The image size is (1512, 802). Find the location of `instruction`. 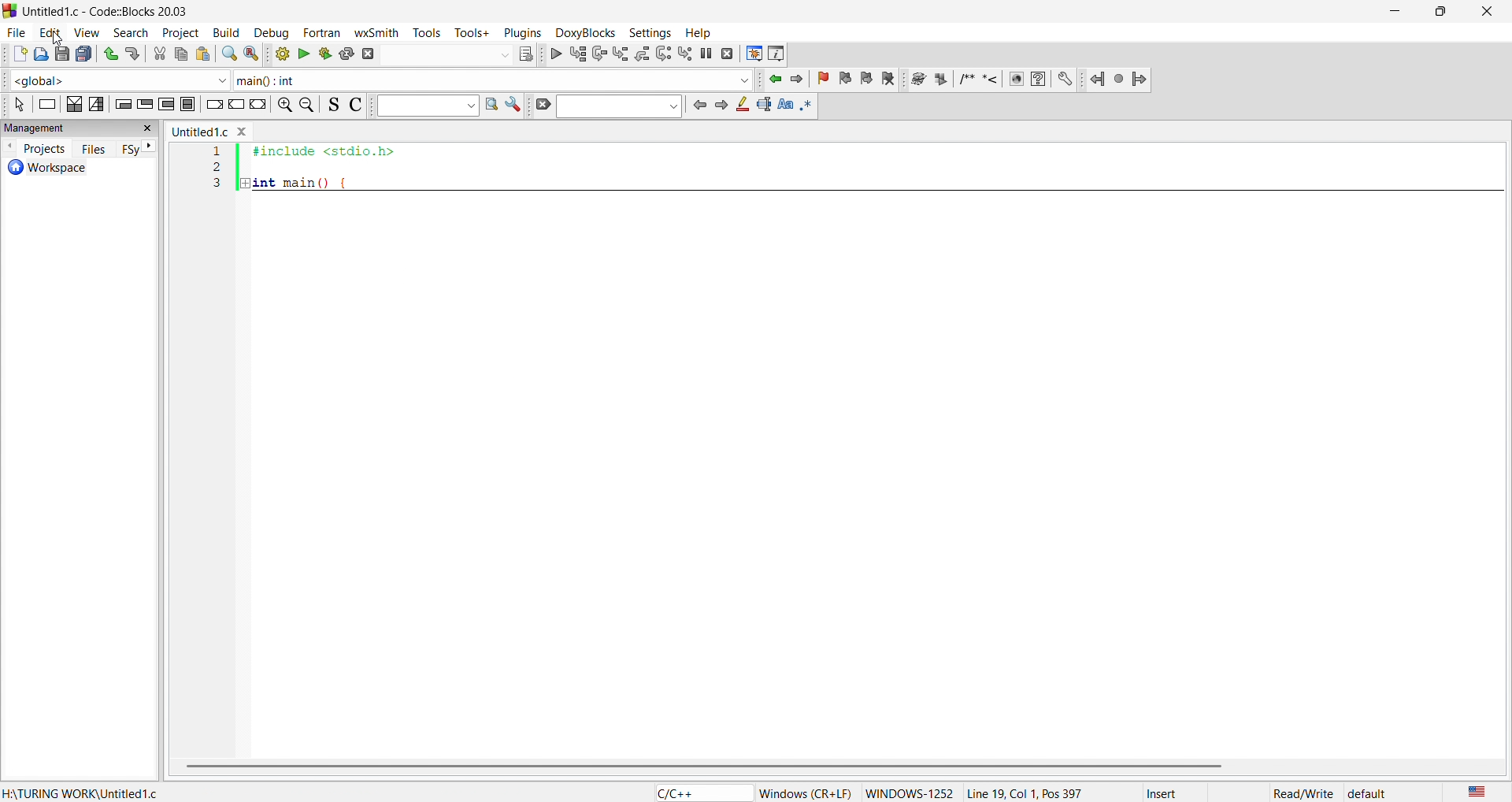

instruction is located at coordinates (46, 106).